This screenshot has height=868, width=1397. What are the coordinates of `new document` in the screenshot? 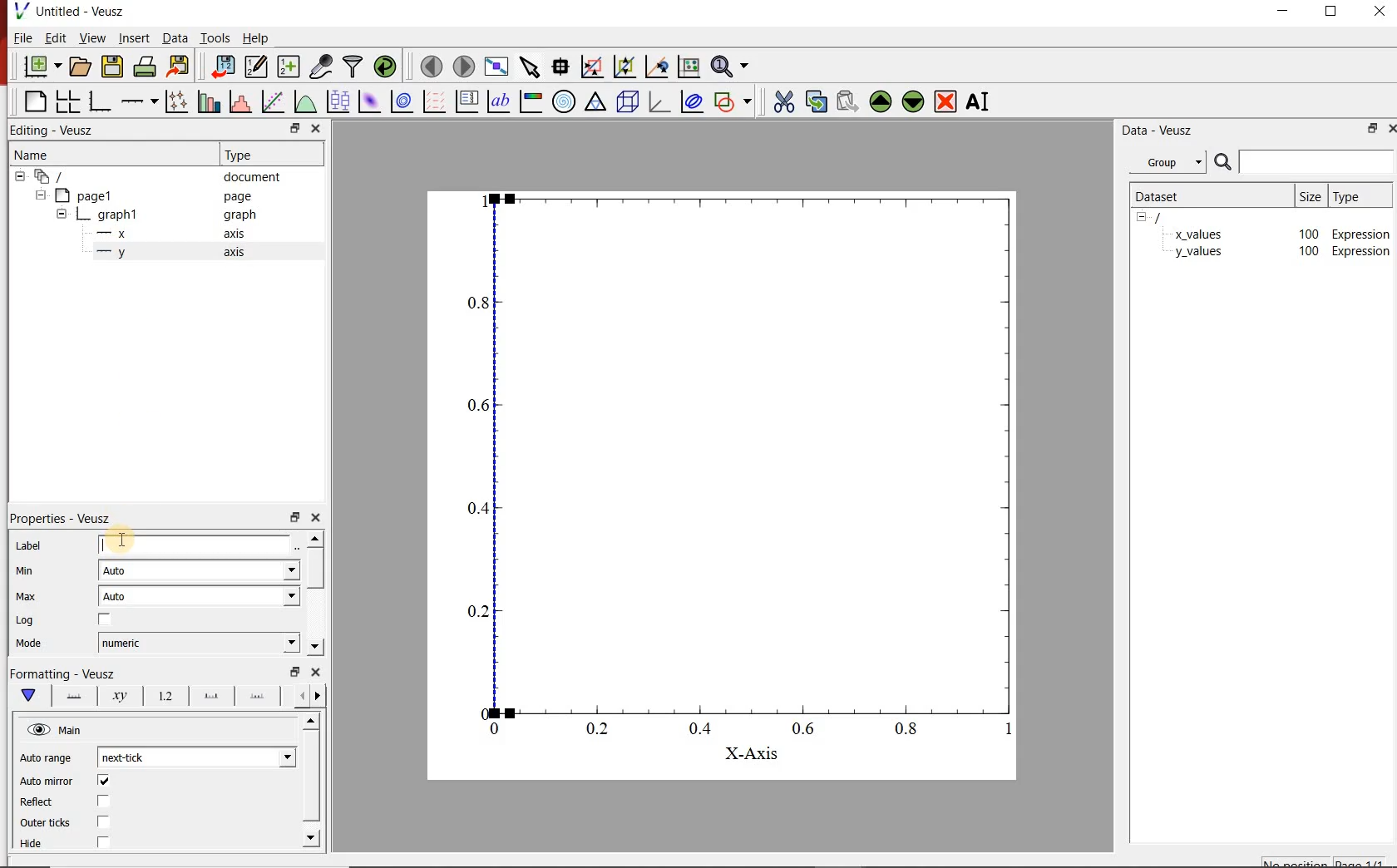 It's located at (42, 65).